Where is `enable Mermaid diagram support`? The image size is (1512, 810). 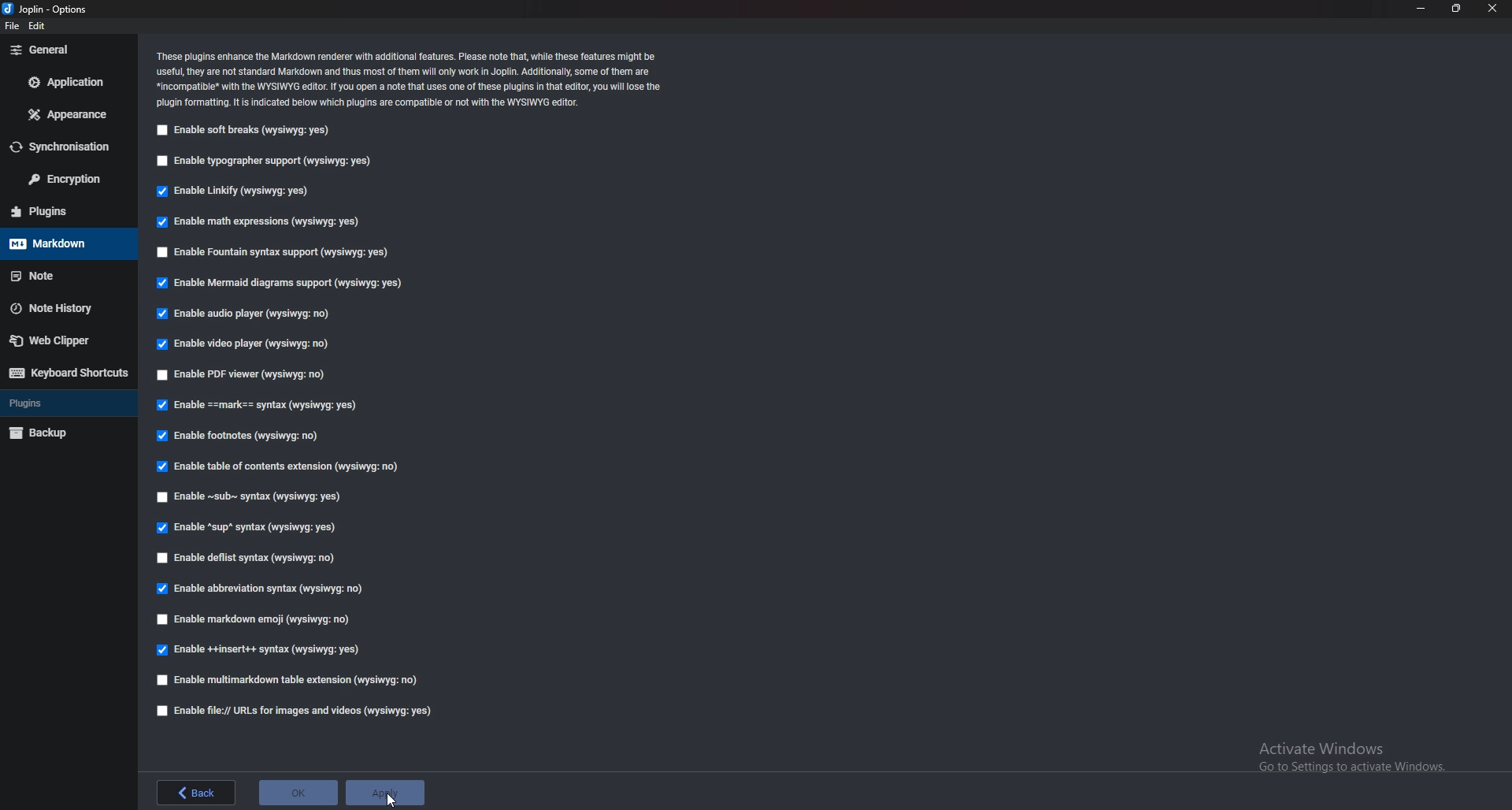 enable Mermaid diagram support is located at coordinates (288, 282).